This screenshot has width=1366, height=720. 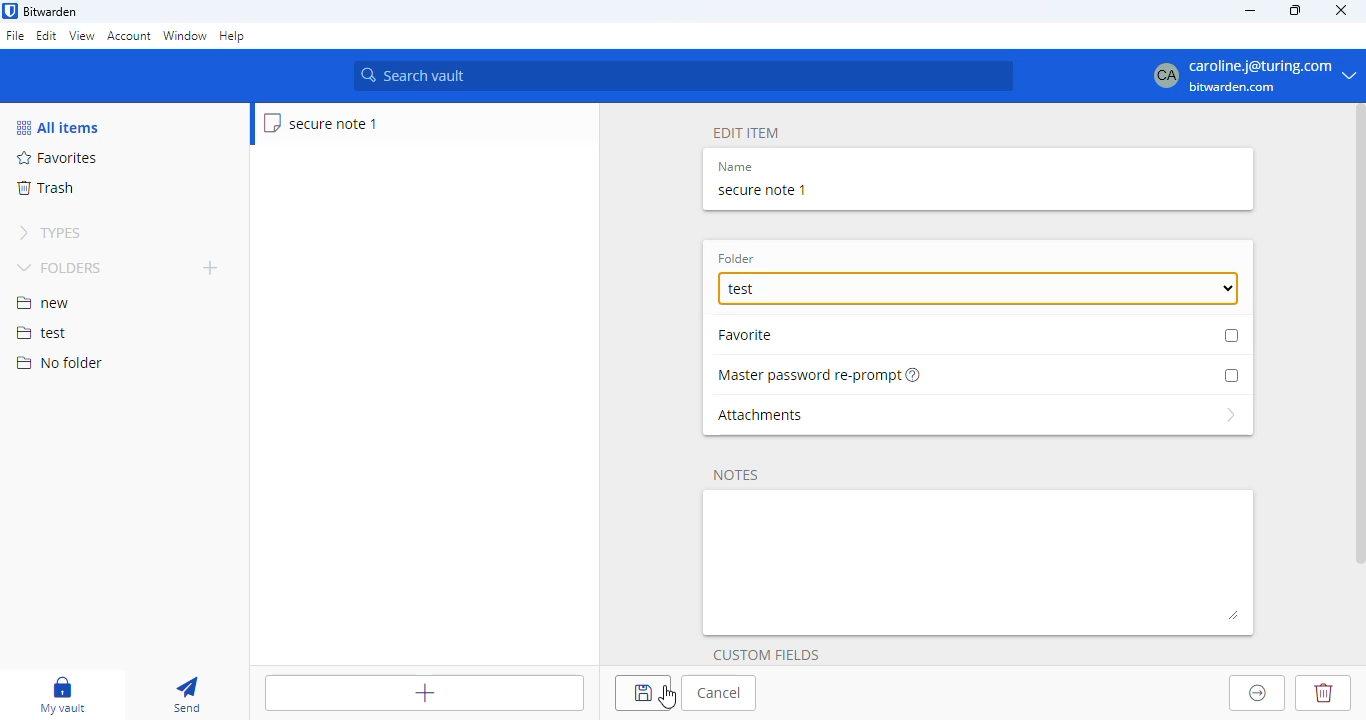 I want to click on notes, so click(x=980, y=562).